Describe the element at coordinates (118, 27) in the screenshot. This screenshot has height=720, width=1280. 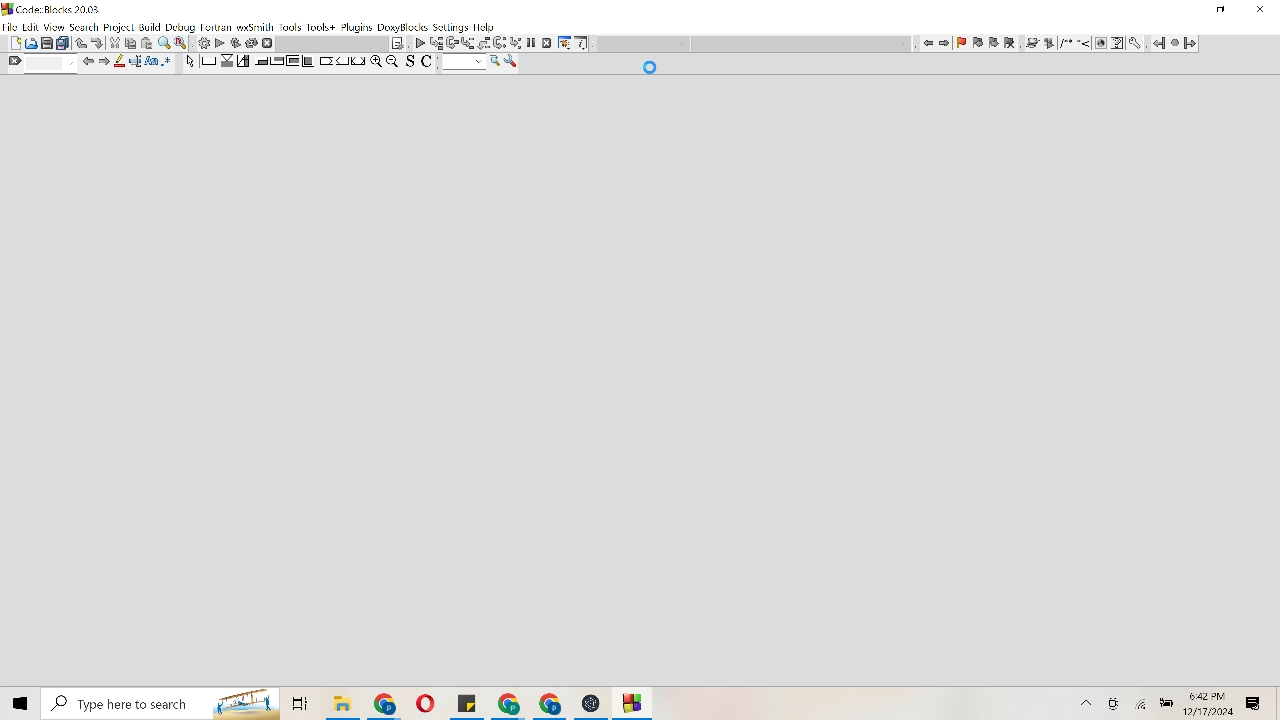
I see `Project` at that location.